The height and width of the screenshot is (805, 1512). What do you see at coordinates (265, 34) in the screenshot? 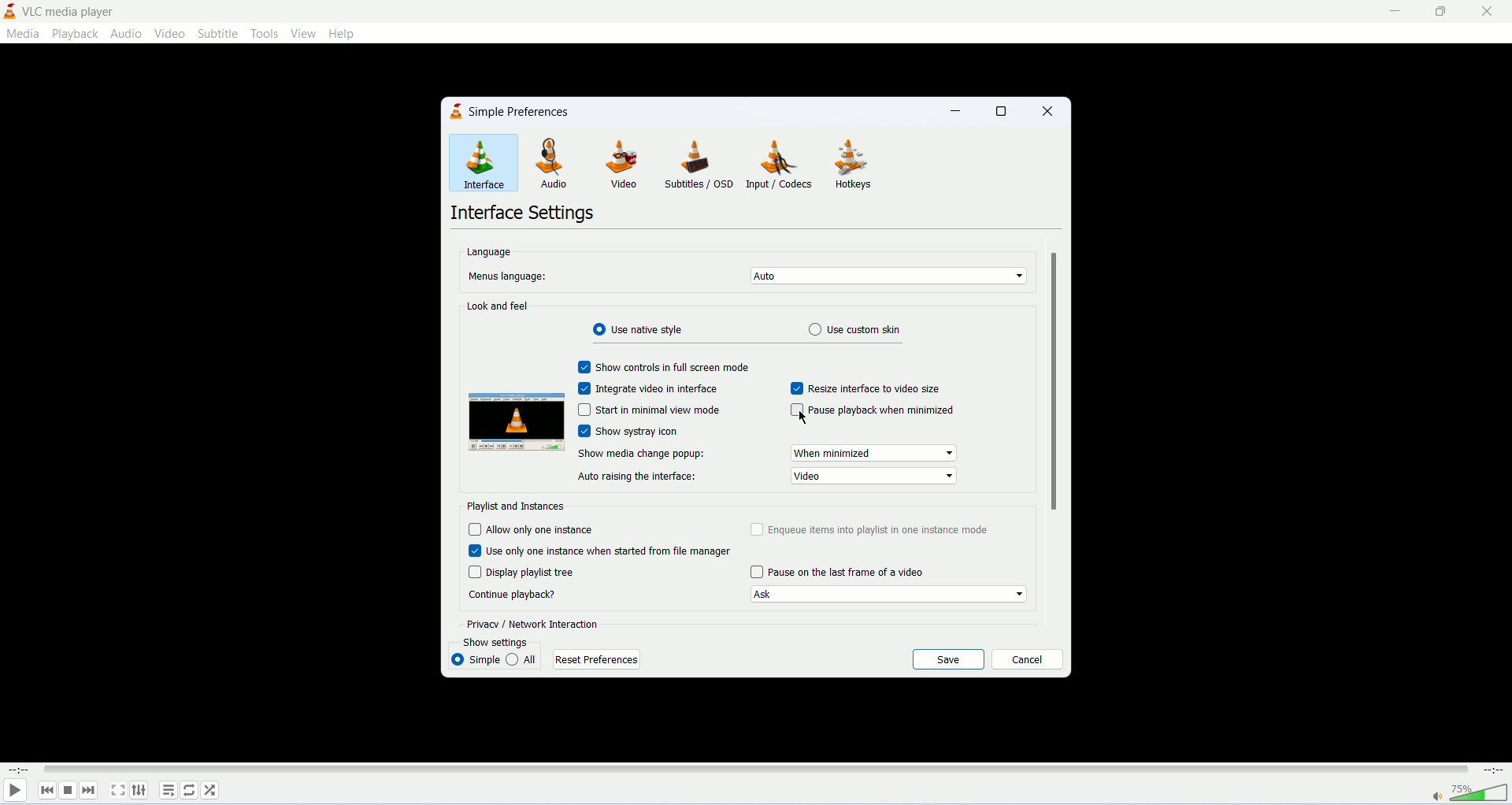
I see `tools` at bounding box center [265, 34].